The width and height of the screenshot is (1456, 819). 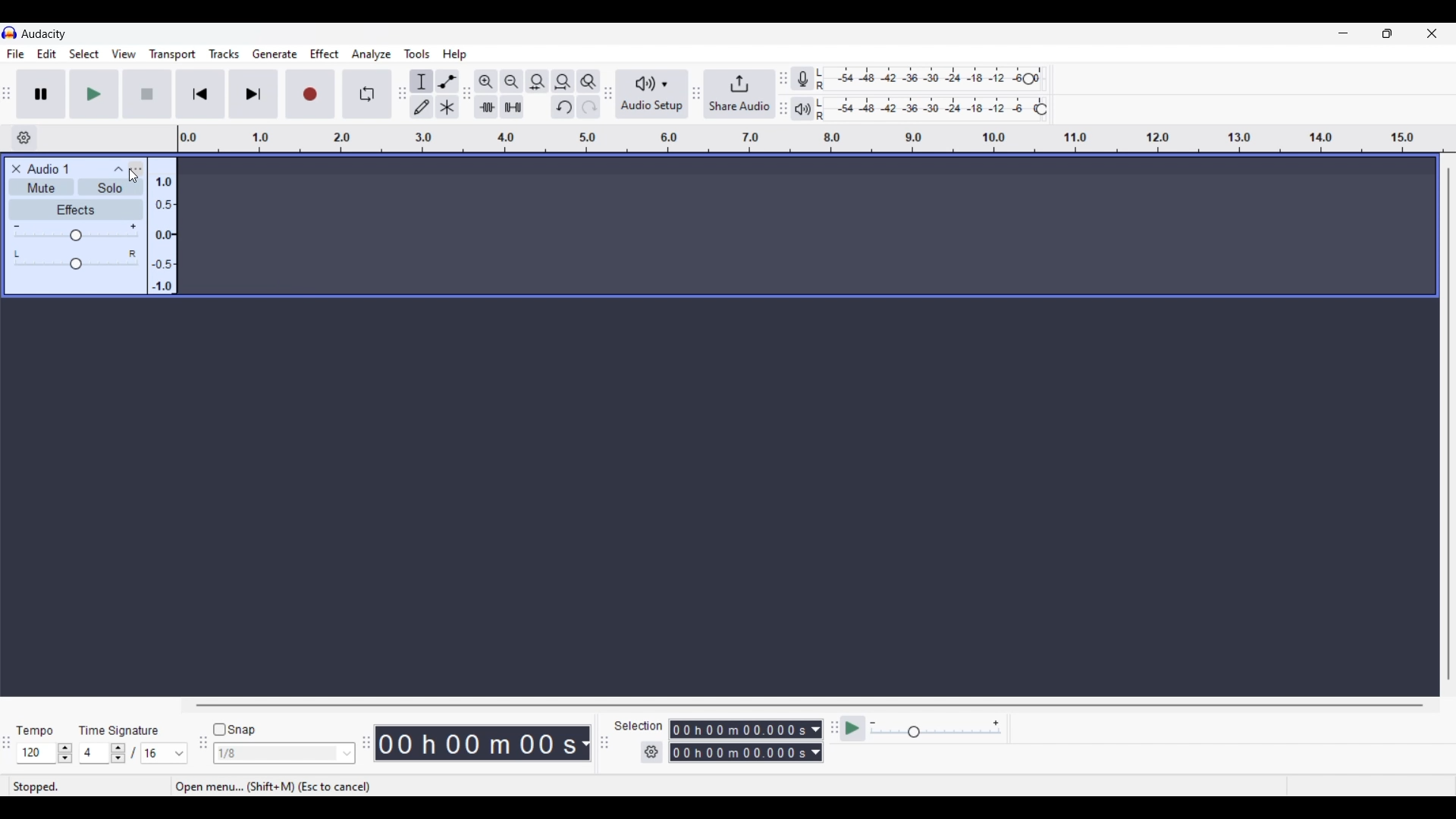 What do you see at coordinates (936, 733) in the screenshot?
I see `Slider to change playback speed` at bounding box center [936, 733].